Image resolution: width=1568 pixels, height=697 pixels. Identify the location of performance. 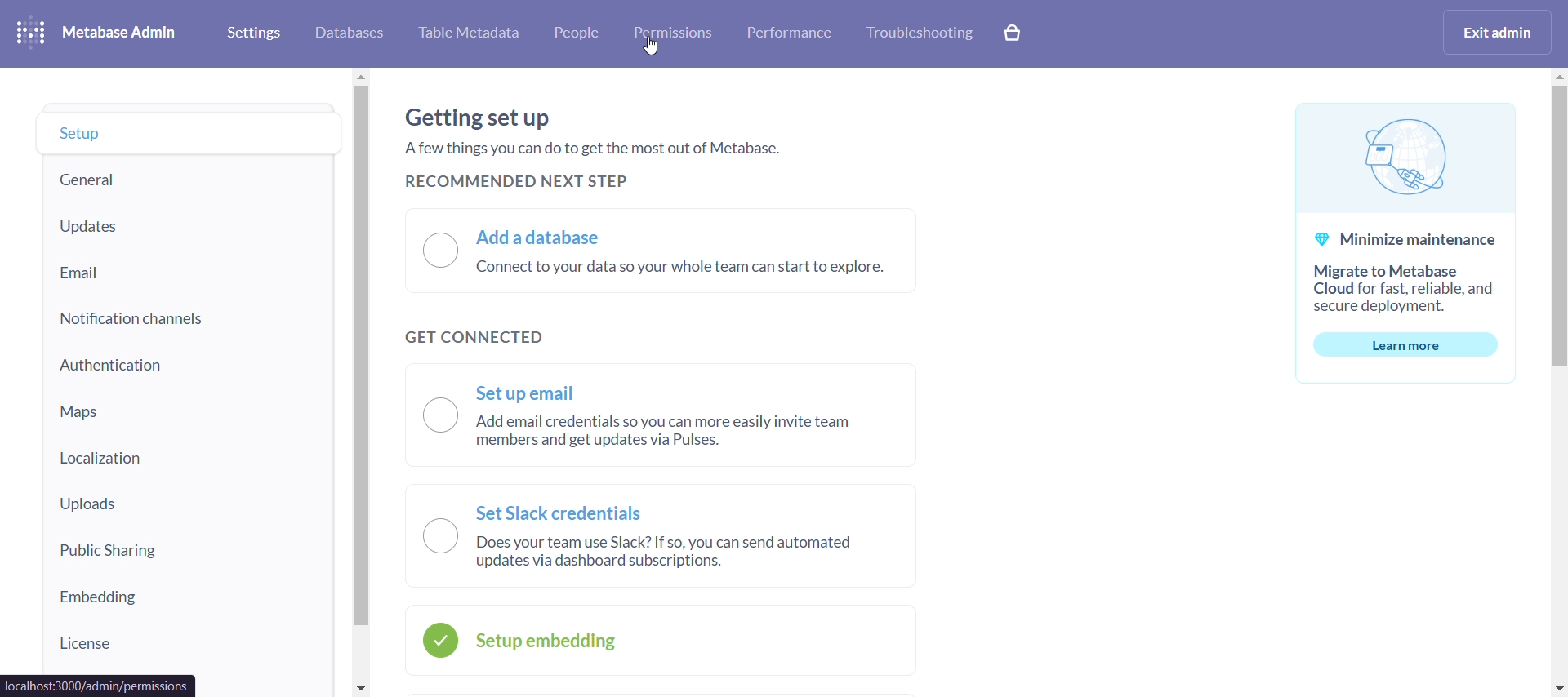
(795, 36).